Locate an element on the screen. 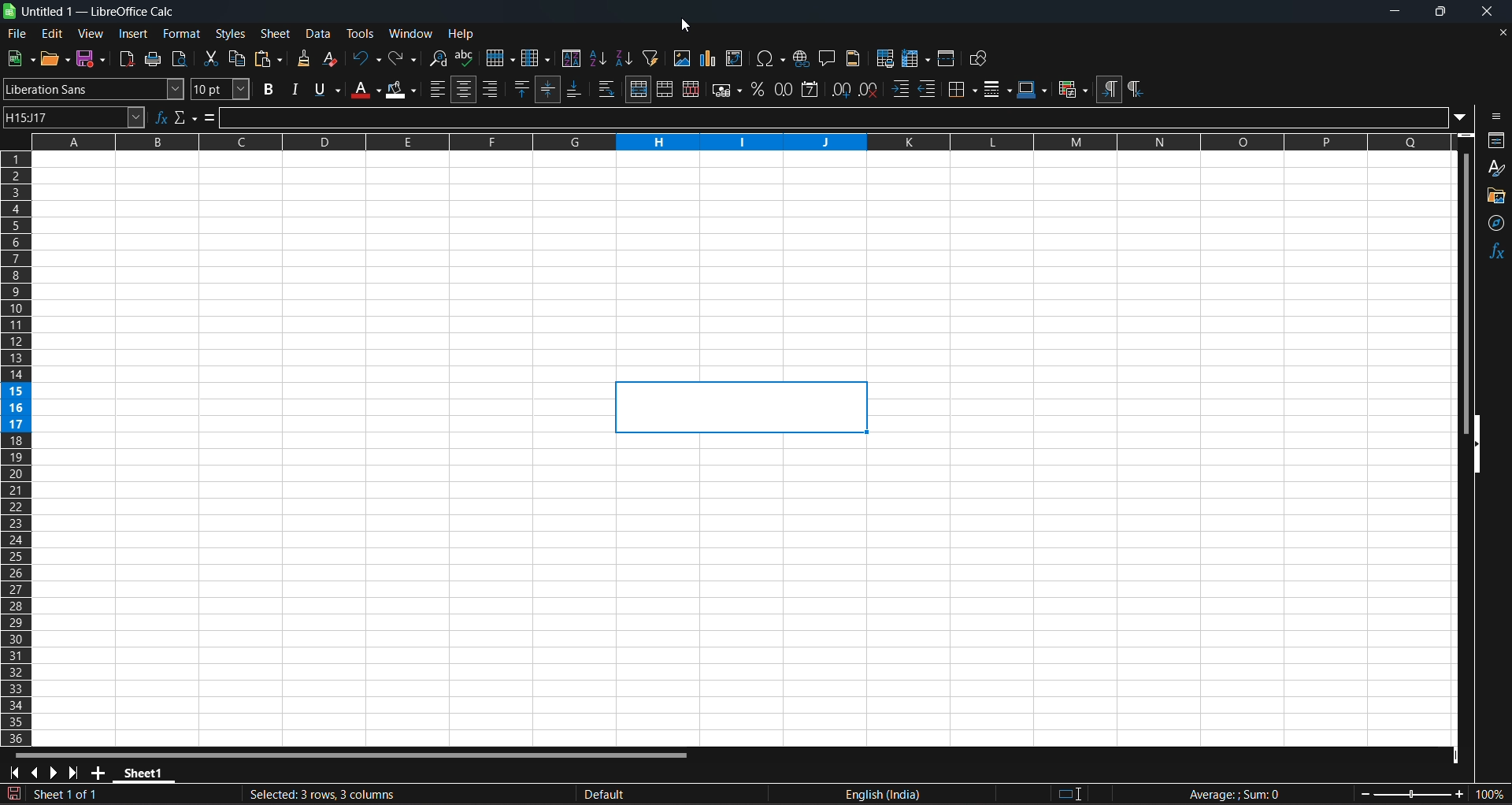  gallery is located at coordinates (1495, 198).